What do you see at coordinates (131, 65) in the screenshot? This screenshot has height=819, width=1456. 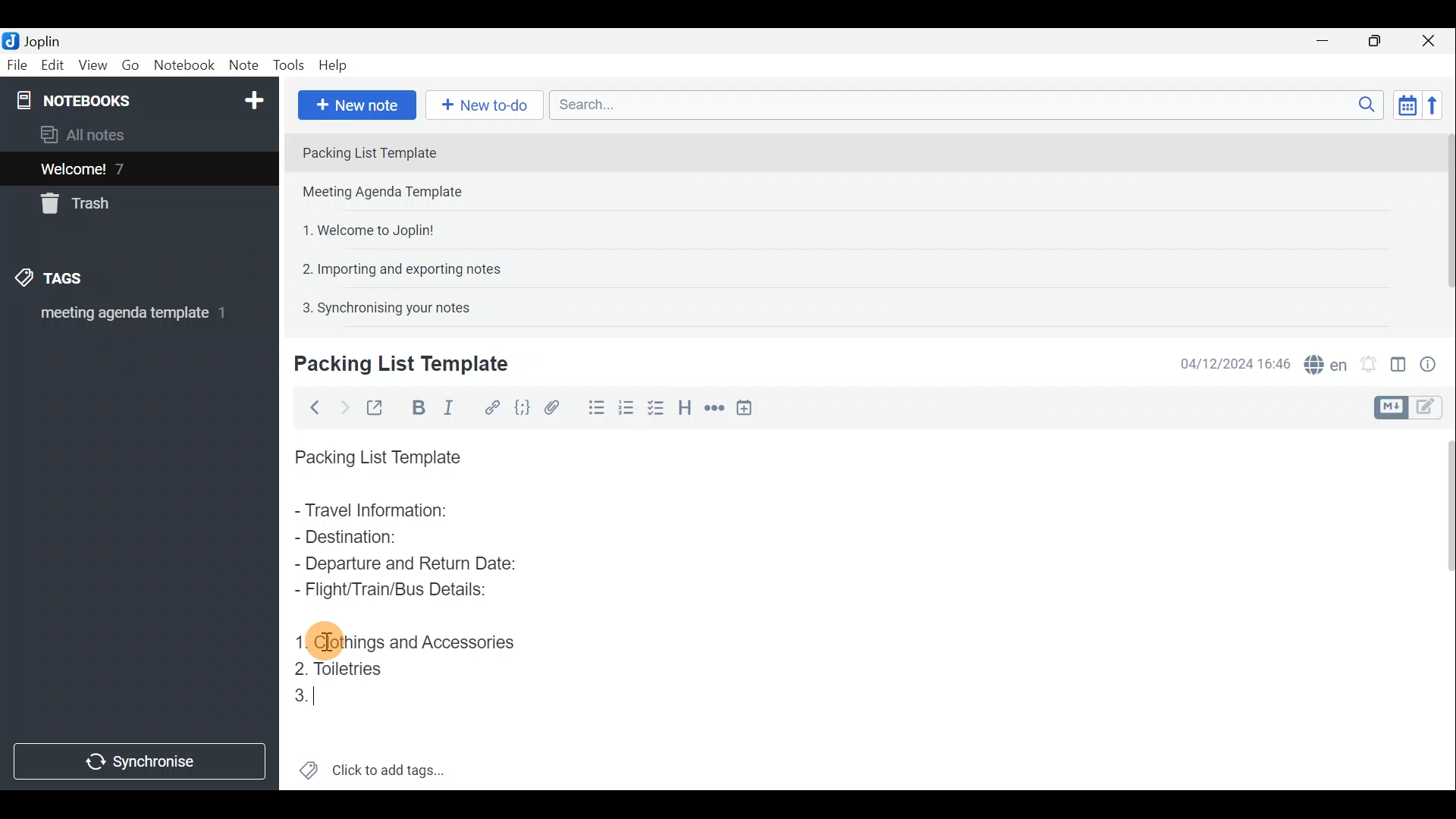 I see `Go` at bounding box center [131, 65].